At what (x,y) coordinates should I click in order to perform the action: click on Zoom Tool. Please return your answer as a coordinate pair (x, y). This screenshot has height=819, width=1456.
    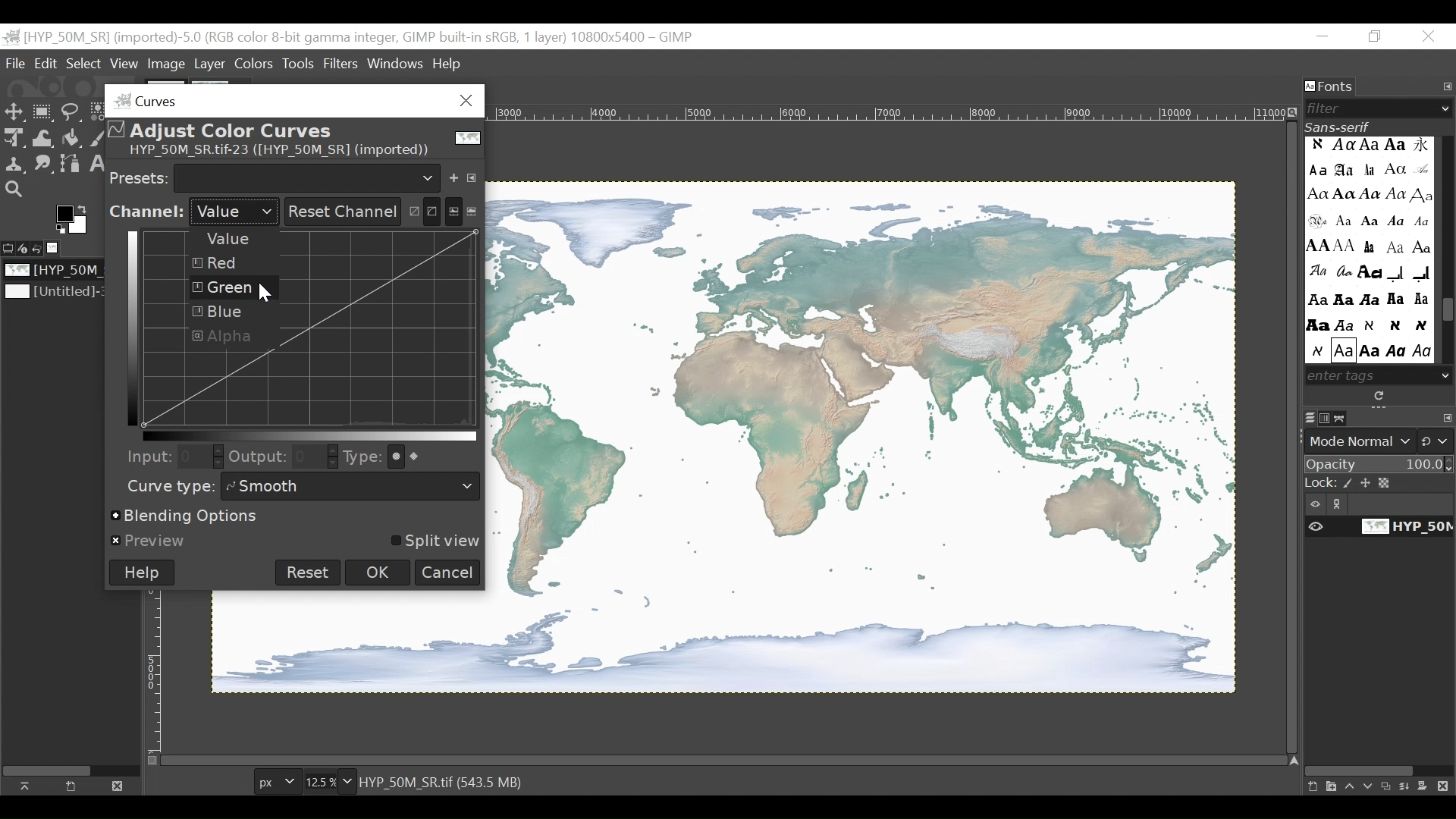
    Looking at the image, I should click on (15, 190).